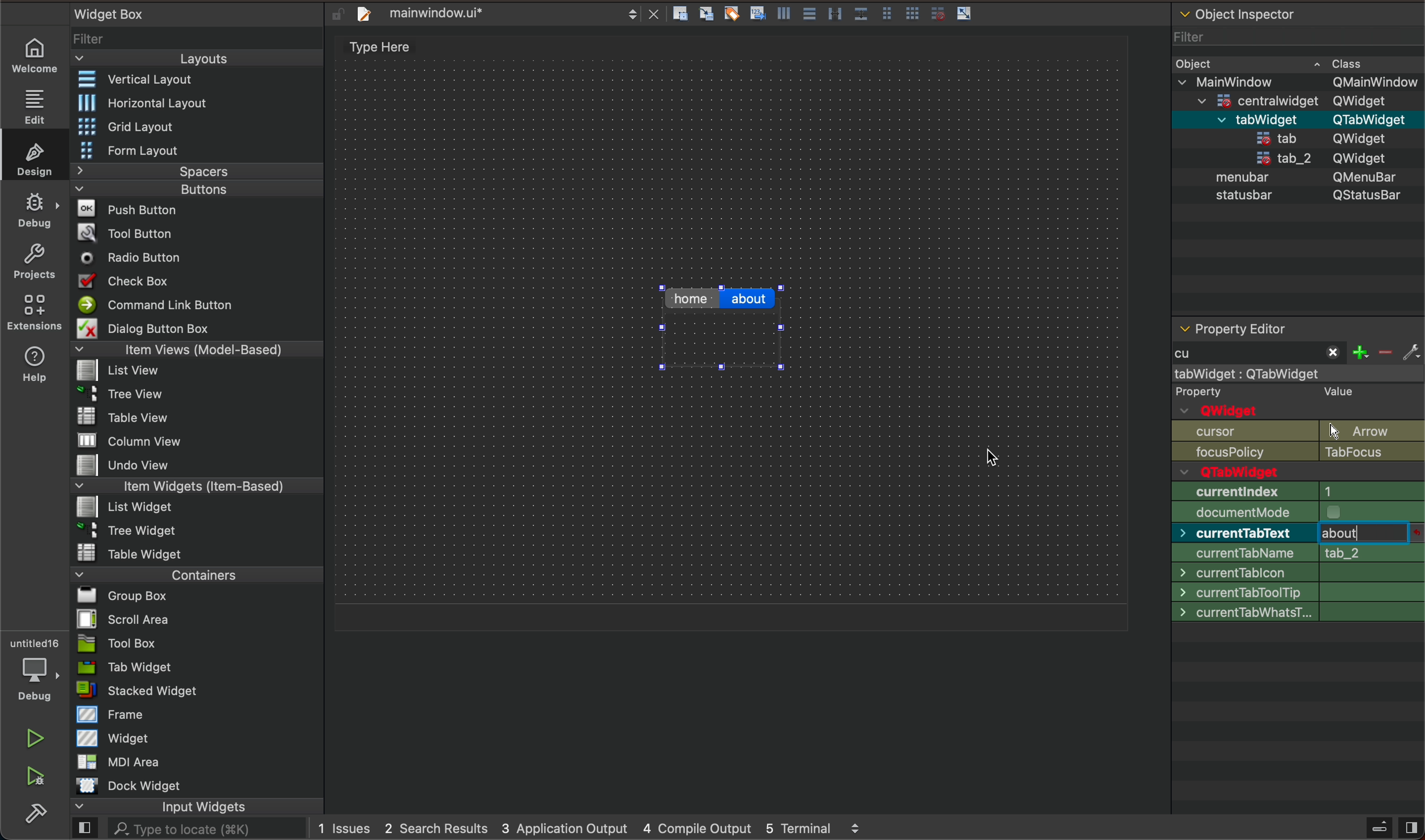 The image size is (1425, 840). I want to click on Scroll Area, so click(127, 618).